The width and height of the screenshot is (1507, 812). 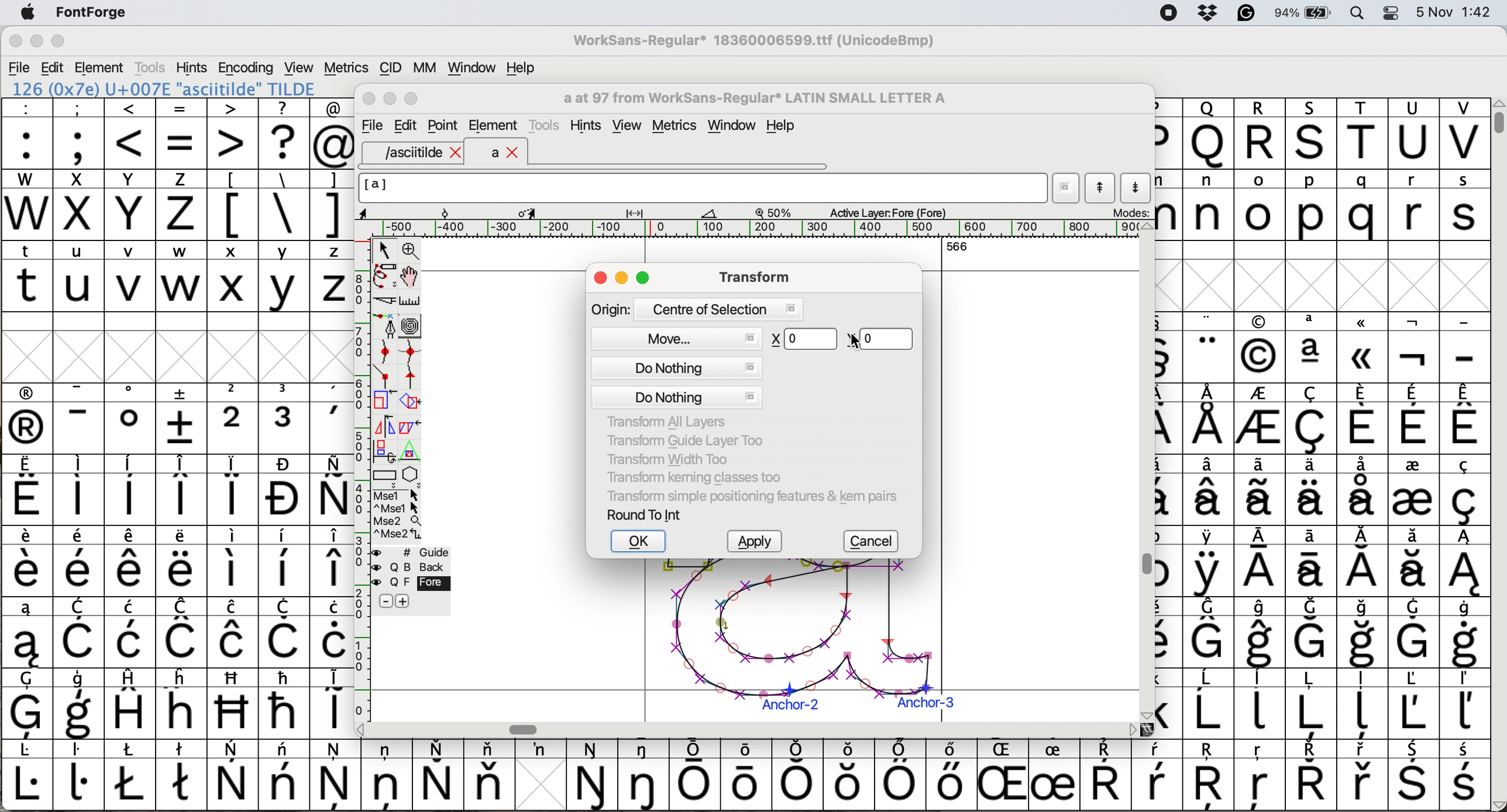 I want to click on >, so click(x=233, y=133).